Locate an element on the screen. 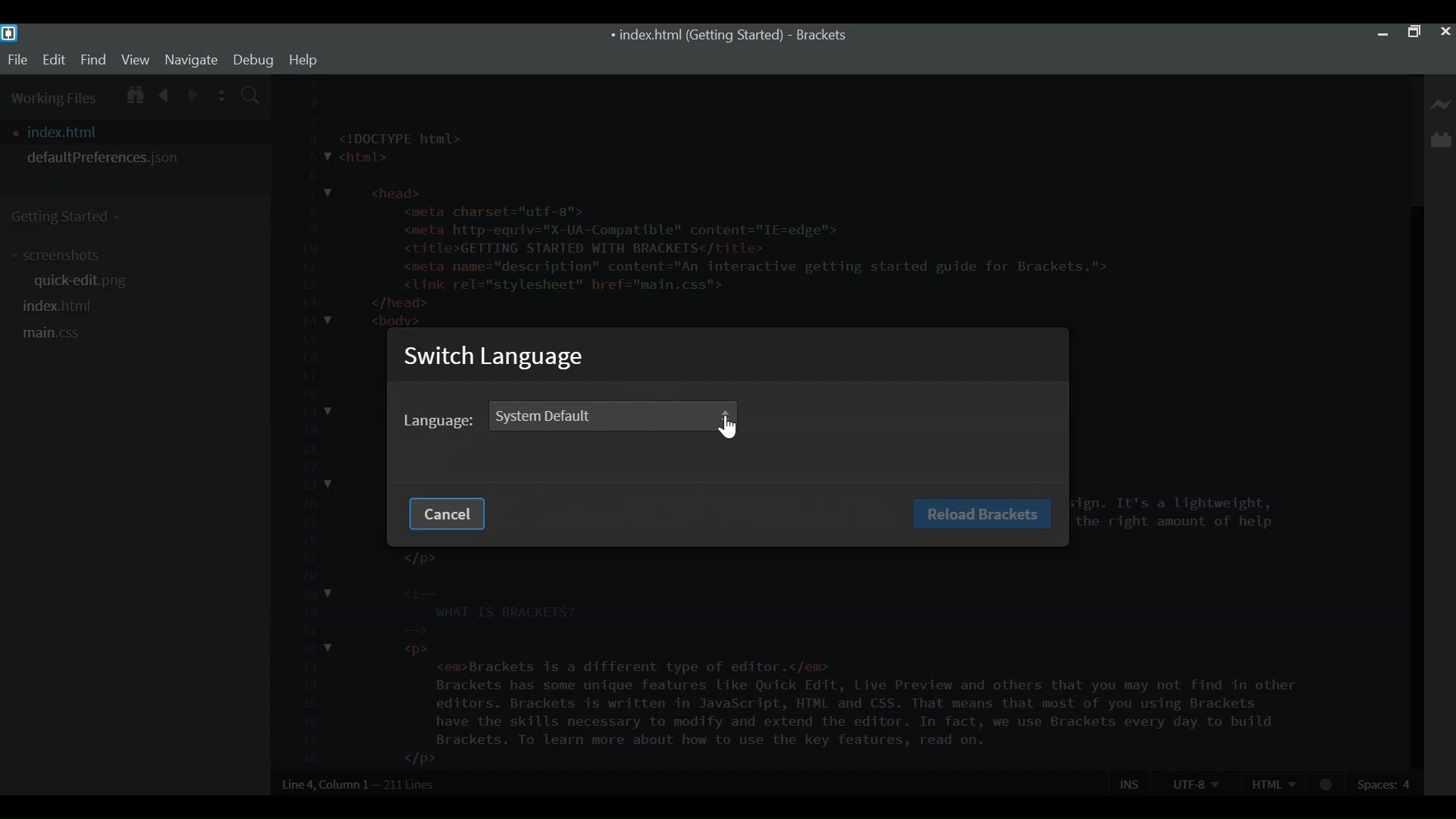 The width and height of the screenshot is (1456, 819). defaultPreferences.json is located at coordinates (135, 158).